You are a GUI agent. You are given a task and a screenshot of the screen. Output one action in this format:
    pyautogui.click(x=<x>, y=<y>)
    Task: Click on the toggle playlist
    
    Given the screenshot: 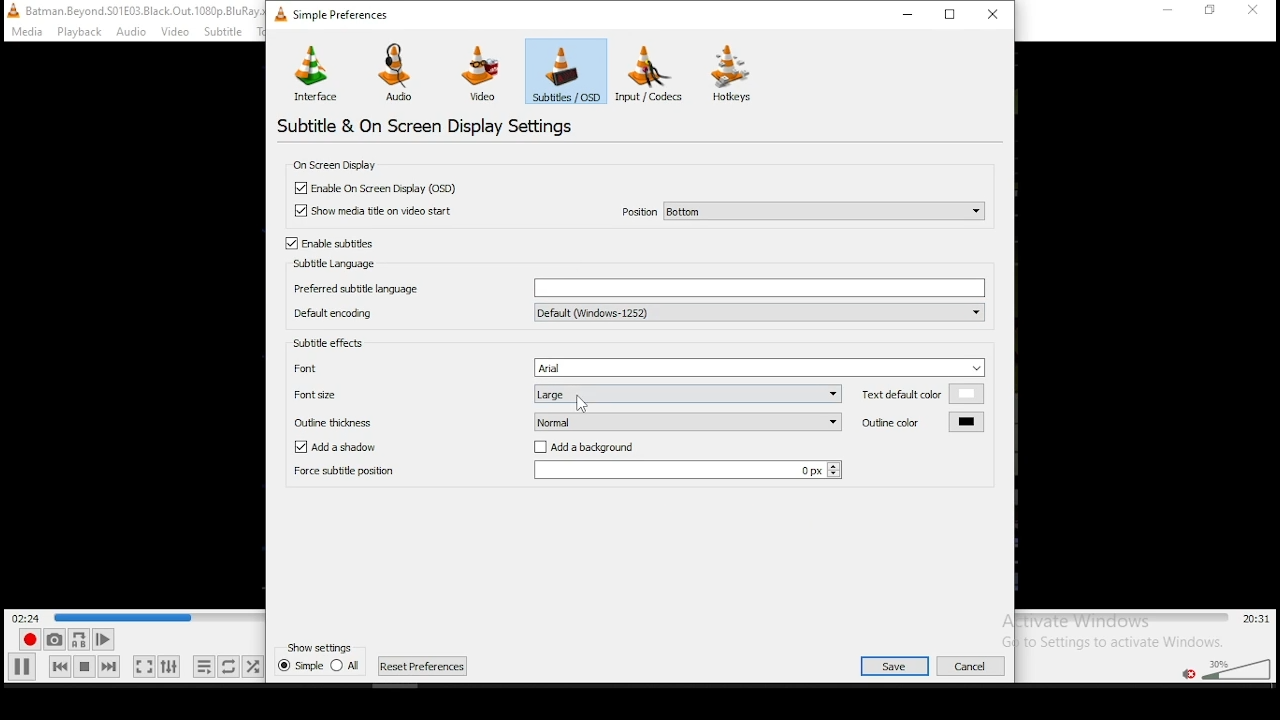 What is the action you would take?
    pyautogui.click(x=204, y=666)
    